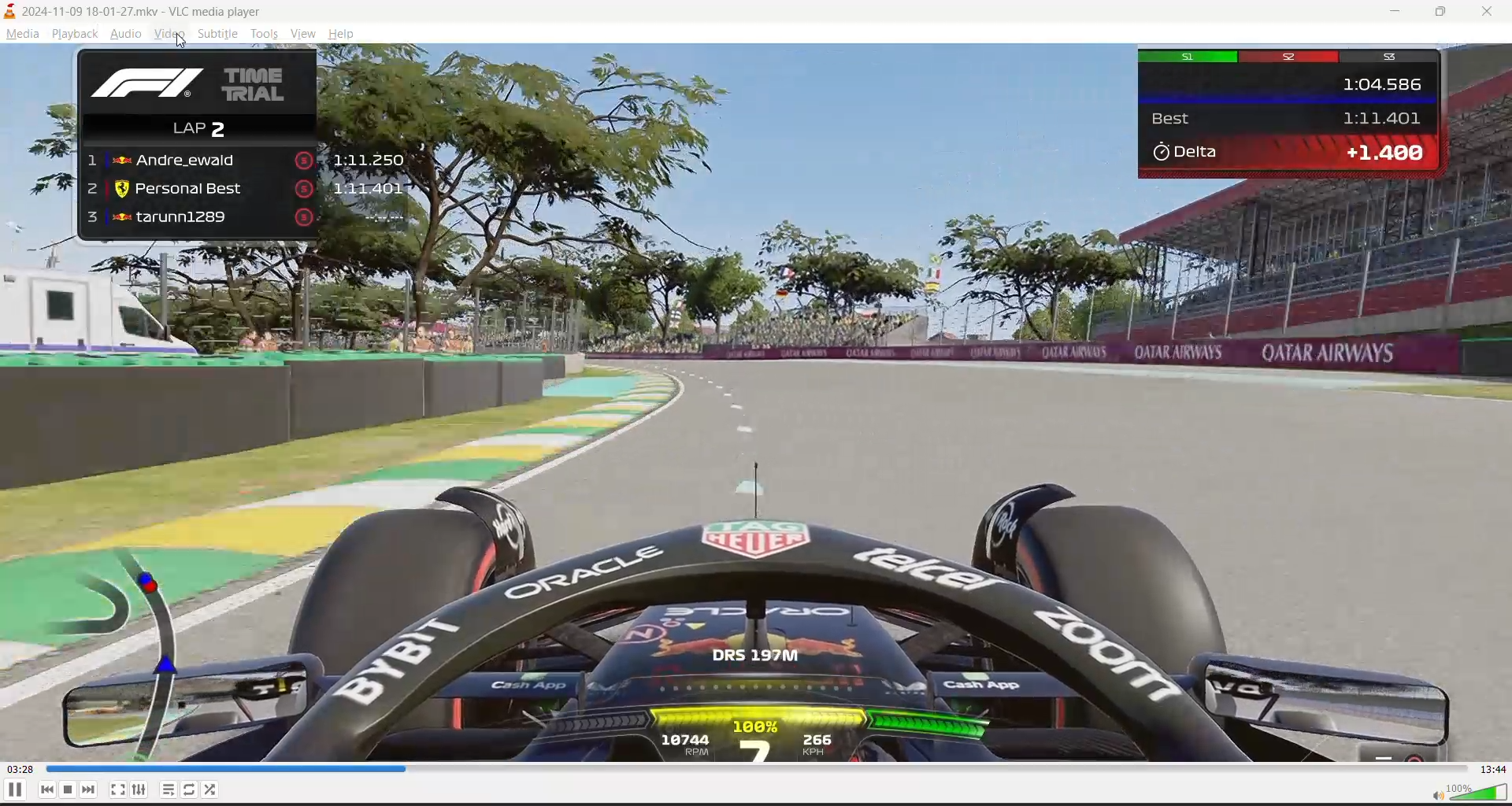 The width and height of the screenshot is (1512, 806). I want to click on view, so click(305, 34).